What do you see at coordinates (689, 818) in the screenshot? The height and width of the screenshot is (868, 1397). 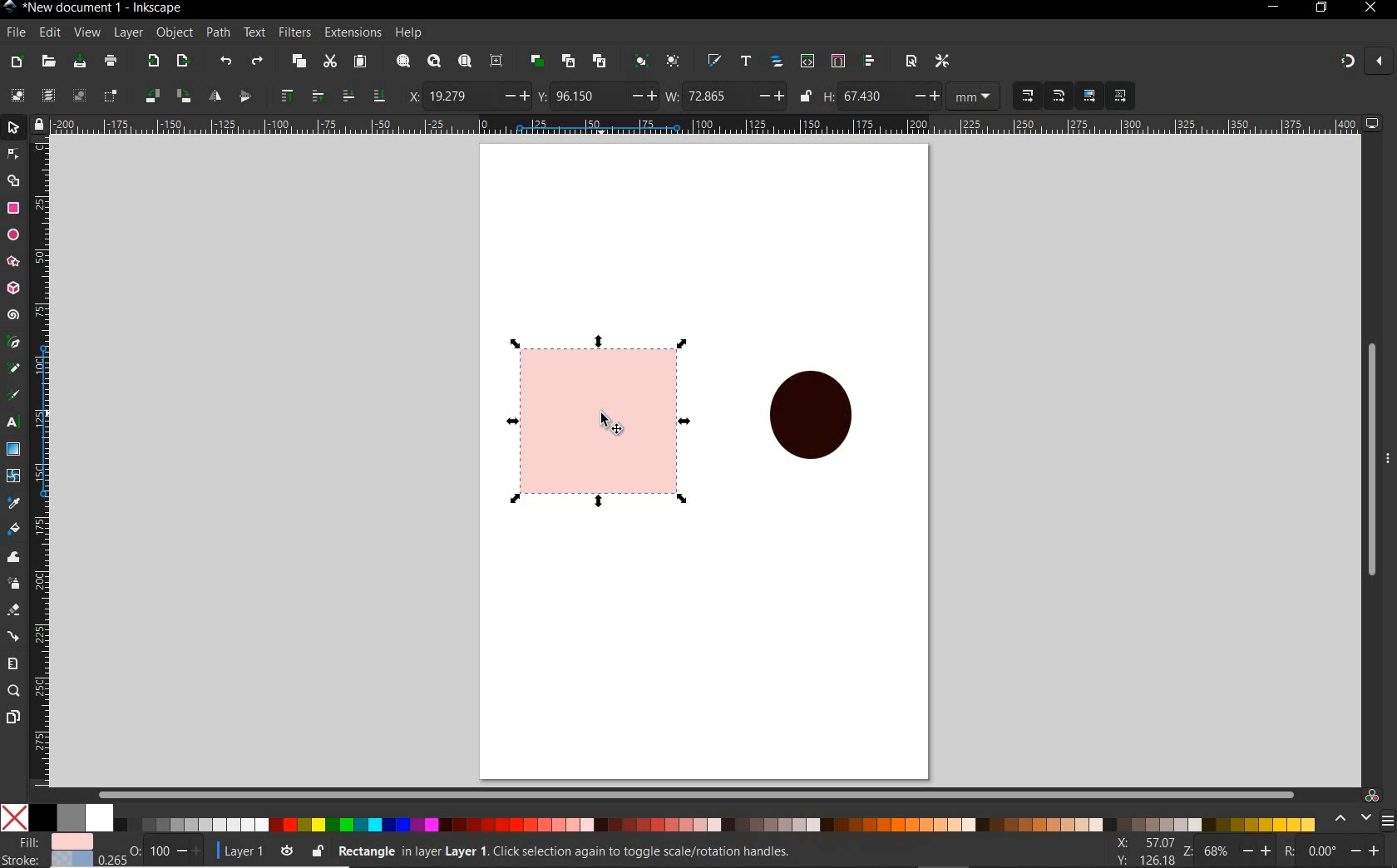 I see `color pallet` at bounding box center [689, 818].